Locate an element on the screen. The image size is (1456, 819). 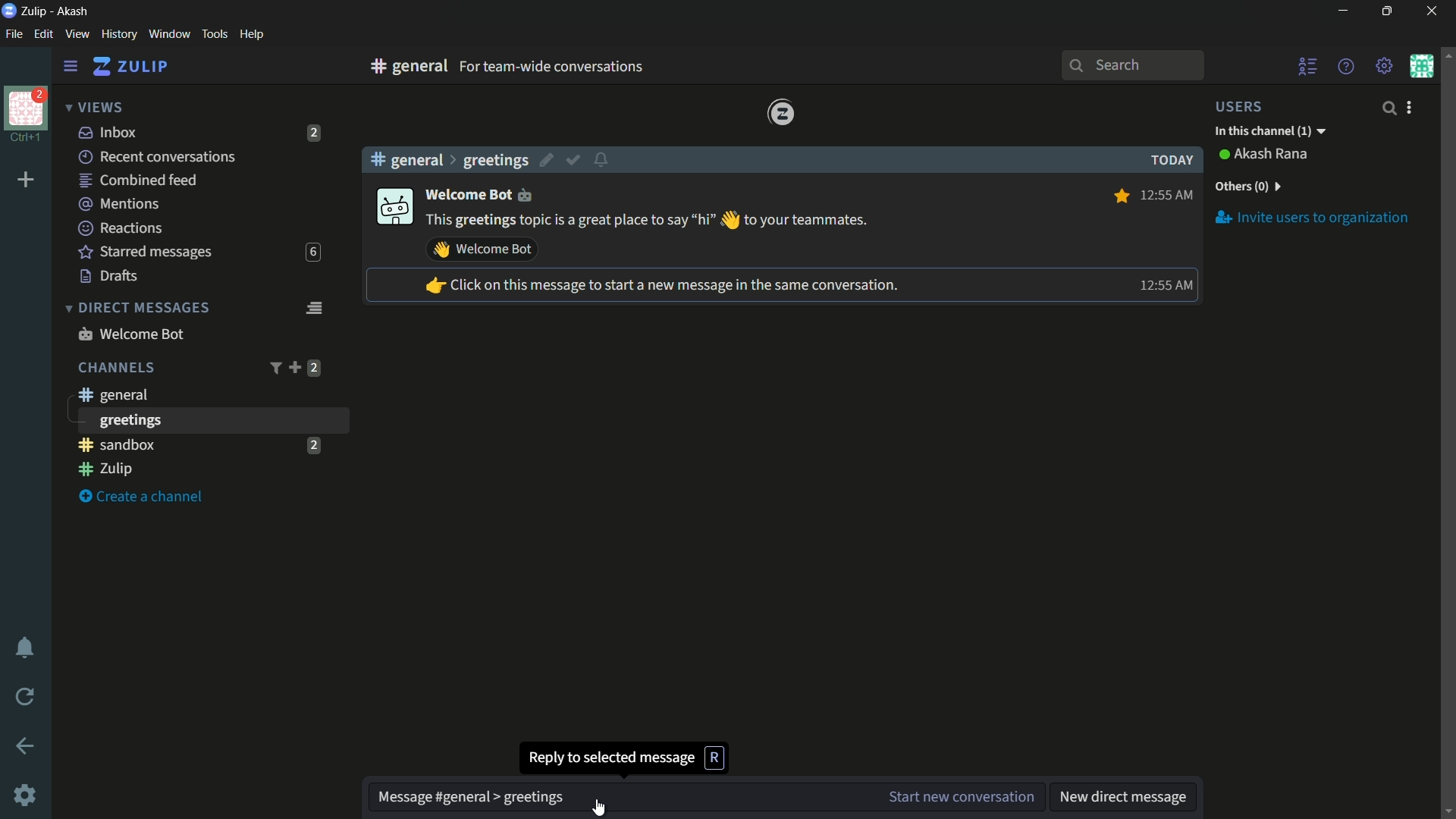
help menu is located at coordinates (1345, 66).